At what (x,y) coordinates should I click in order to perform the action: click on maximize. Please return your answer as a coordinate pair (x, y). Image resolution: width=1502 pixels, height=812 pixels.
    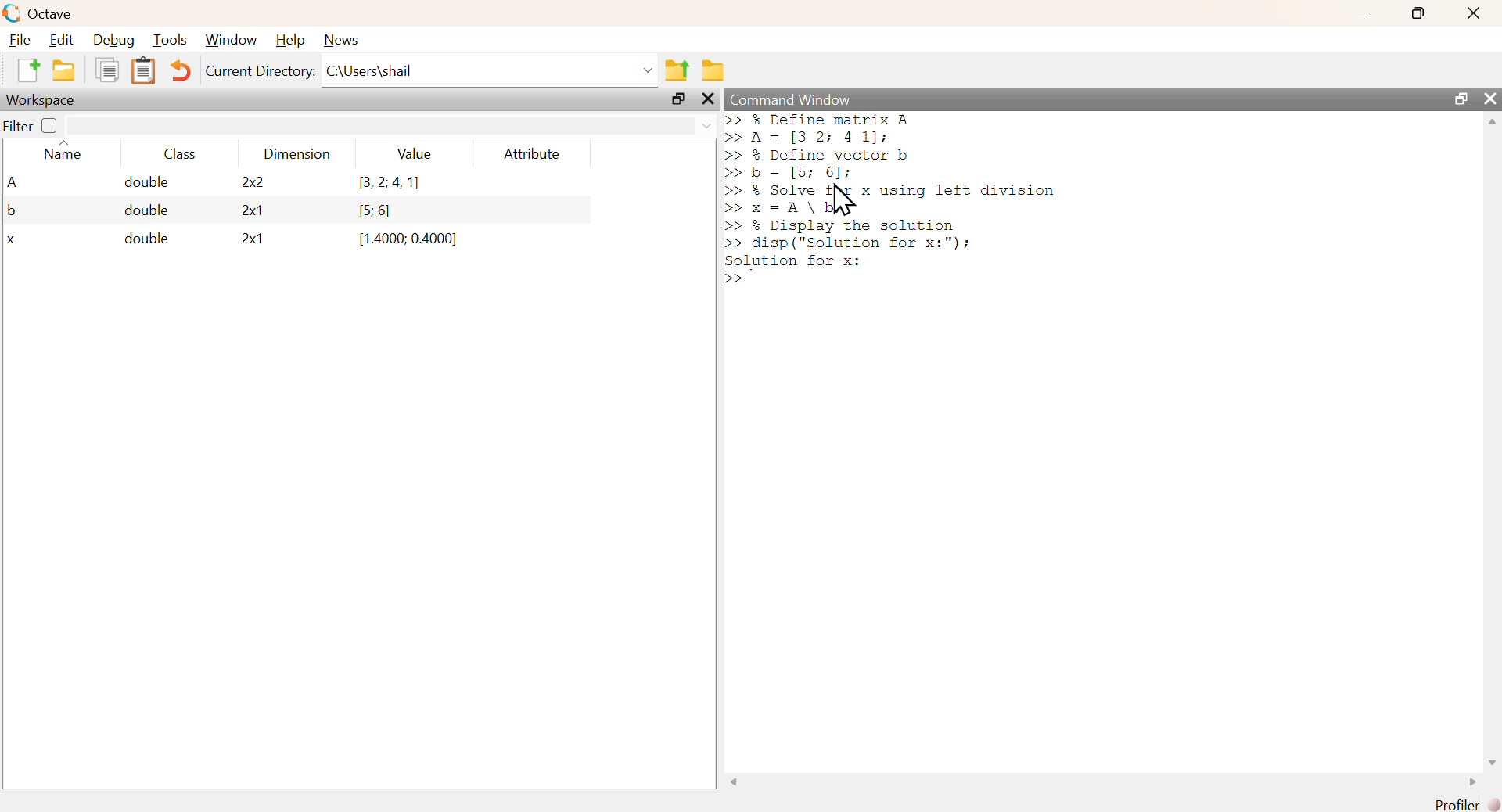
    Looking at the image, I should click on (1416, 13).